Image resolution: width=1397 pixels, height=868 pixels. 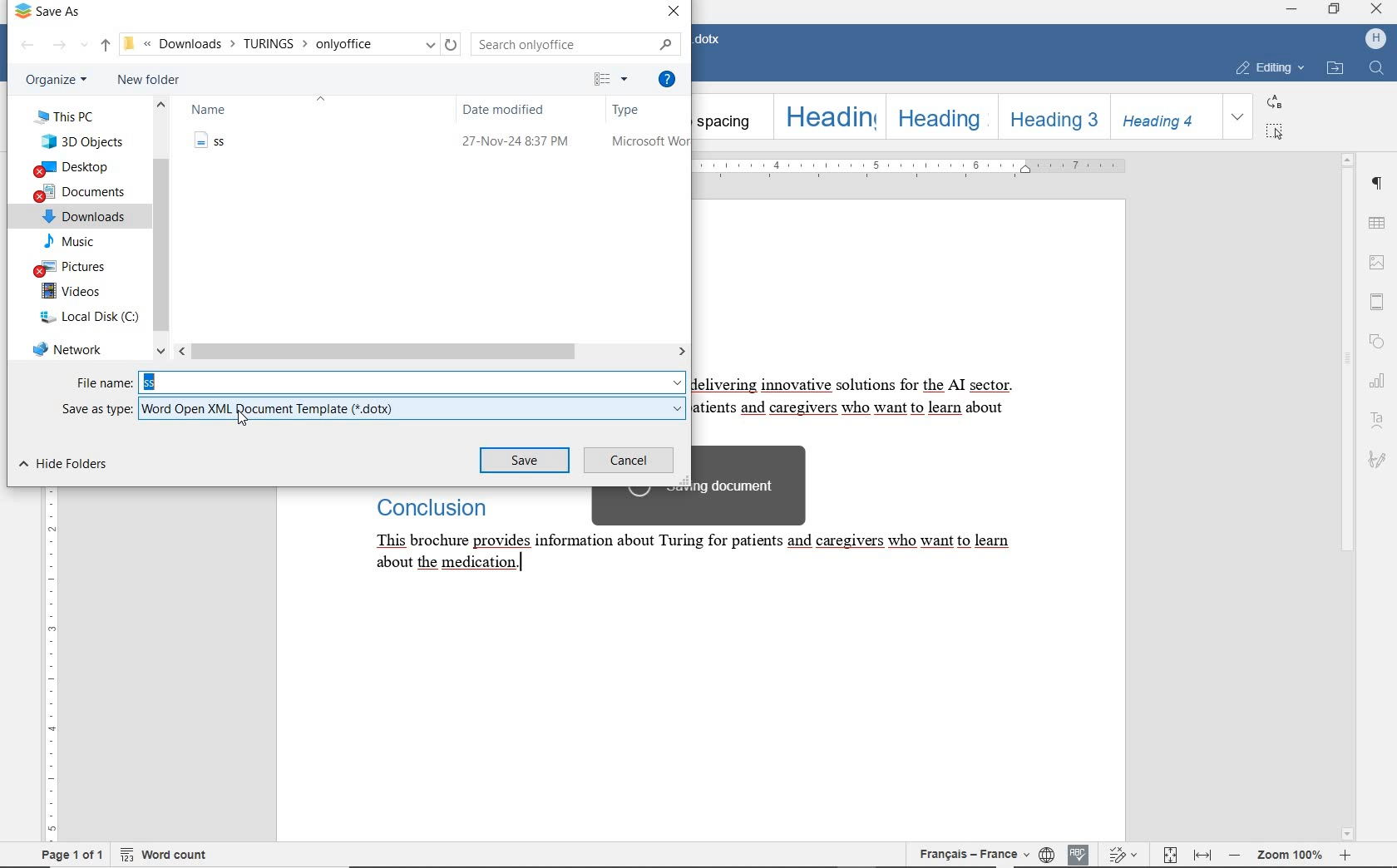 I want to click on TEXT LANGUAGE, so click(x=970, y=852).